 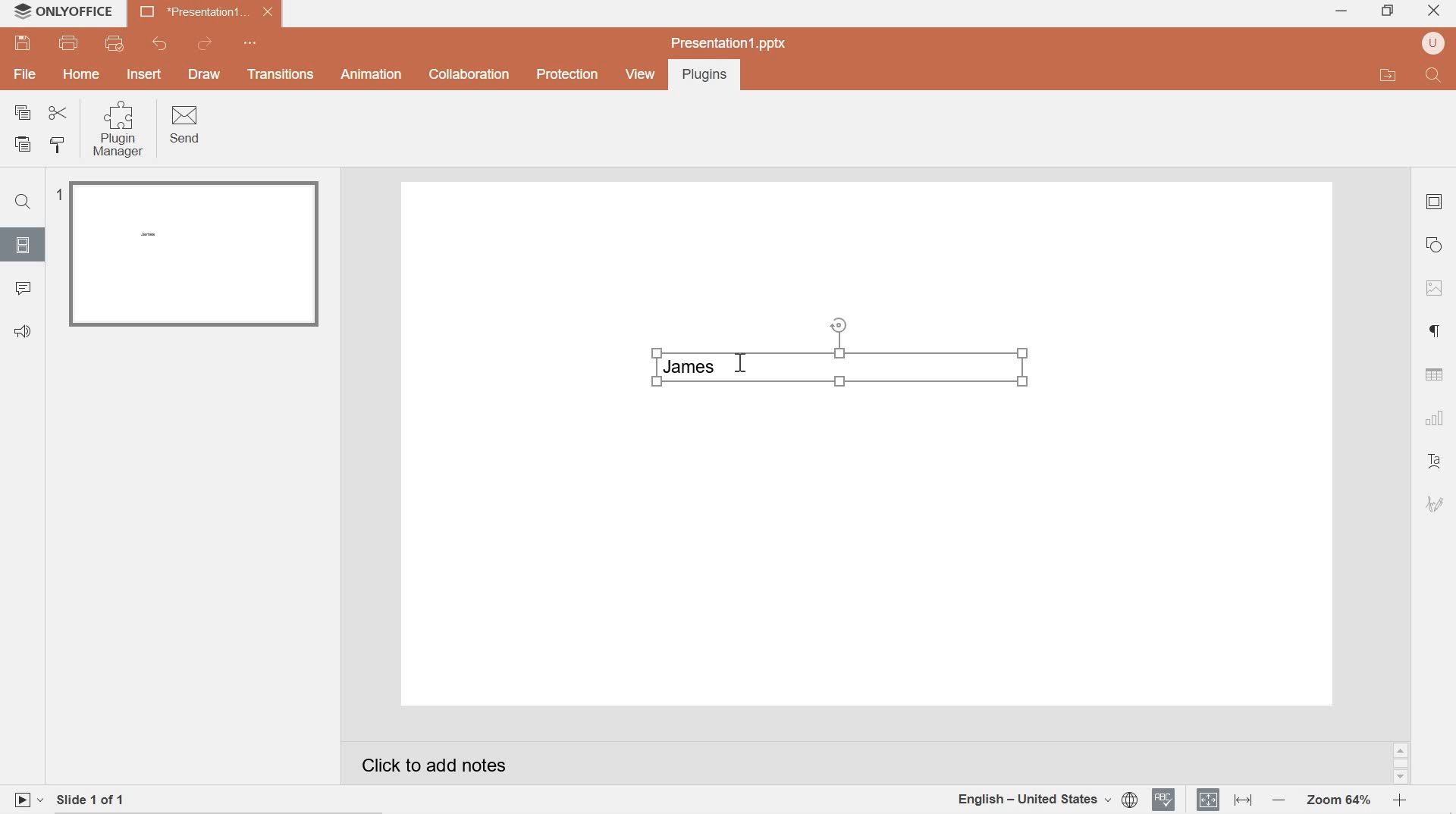 What do you see at coordinates (26, 203) in the screenshot?
I see `Find` at bounding box center [26, 203].